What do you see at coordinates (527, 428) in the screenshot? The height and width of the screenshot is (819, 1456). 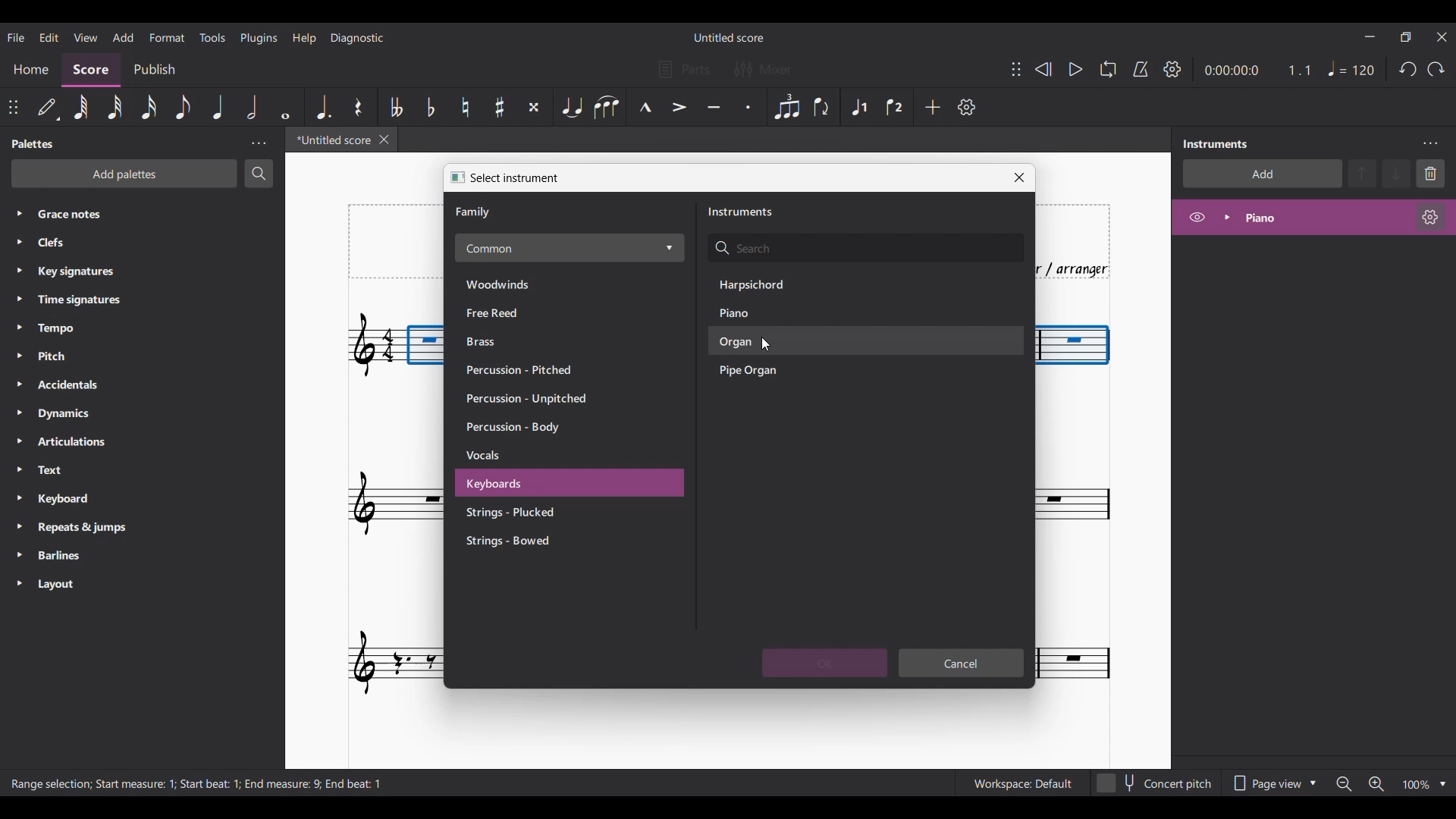 I see `Percussion - Body` at bounding box center [527, 428].